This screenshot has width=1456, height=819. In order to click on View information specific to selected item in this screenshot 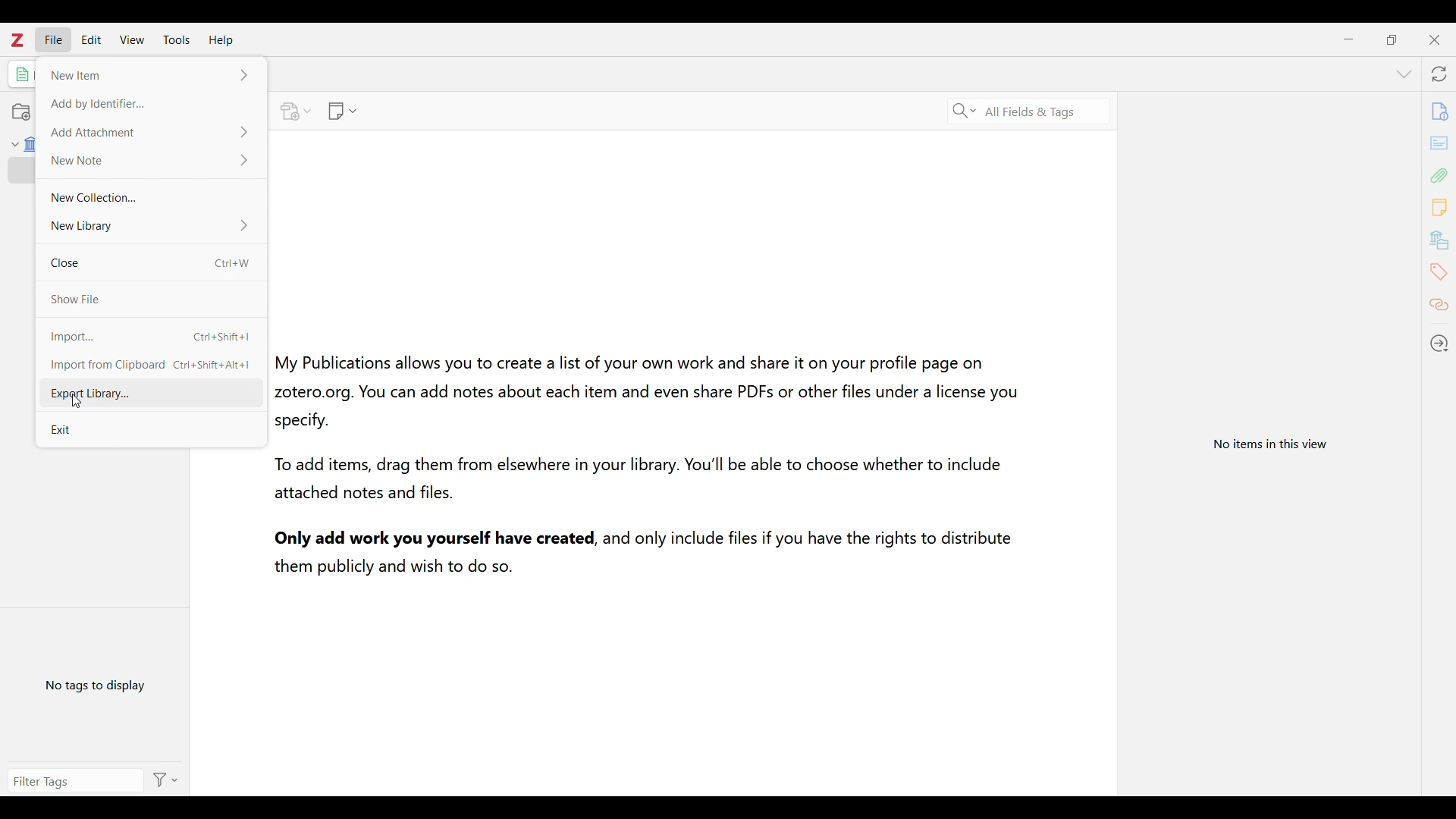, I will do `click(1274, 442)`.